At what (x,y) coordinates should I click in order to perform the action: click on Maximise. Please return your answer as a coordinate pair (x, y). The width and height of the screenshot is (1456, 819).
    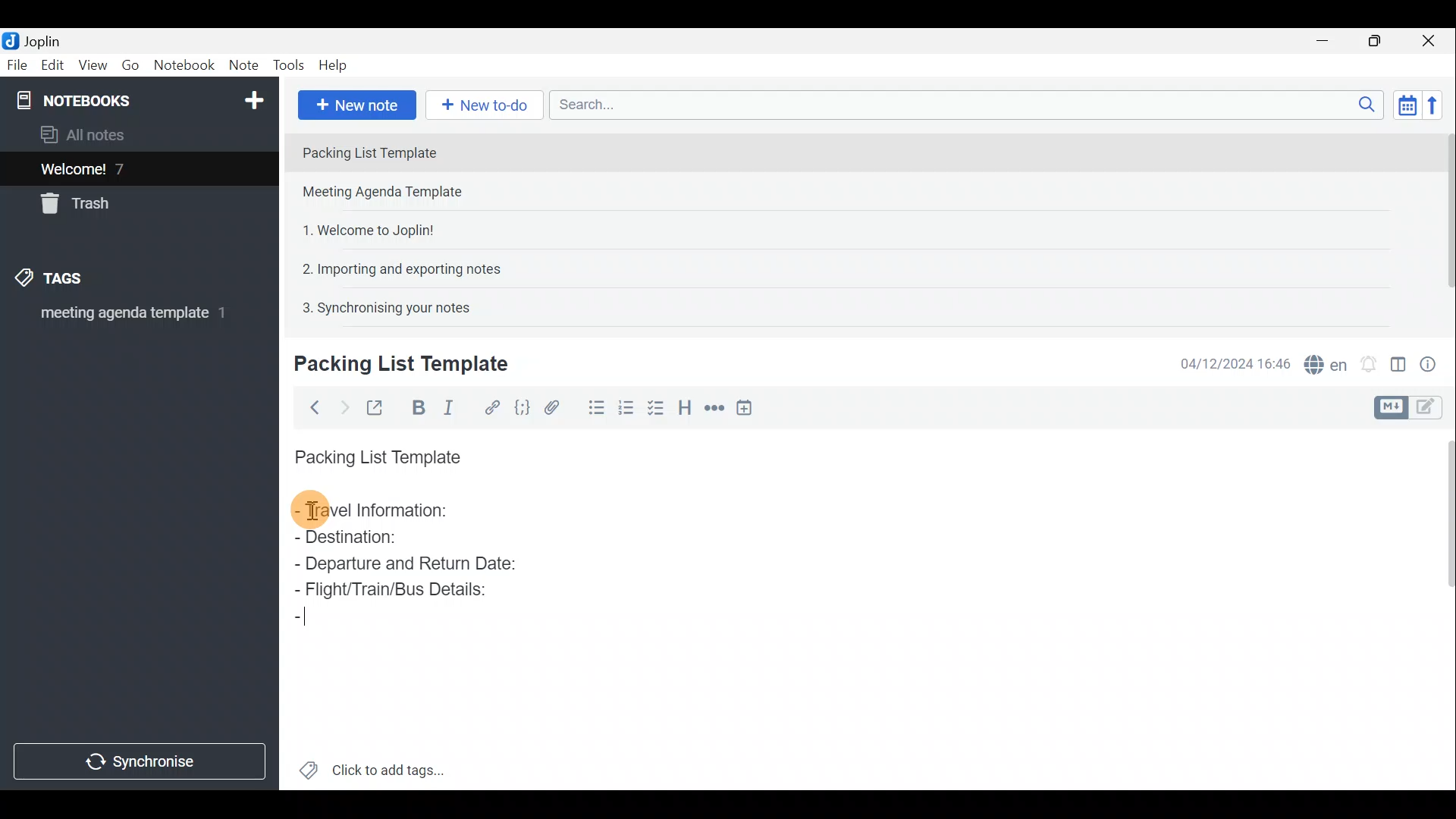
    Looking at the image, I should click on (1380, 41).